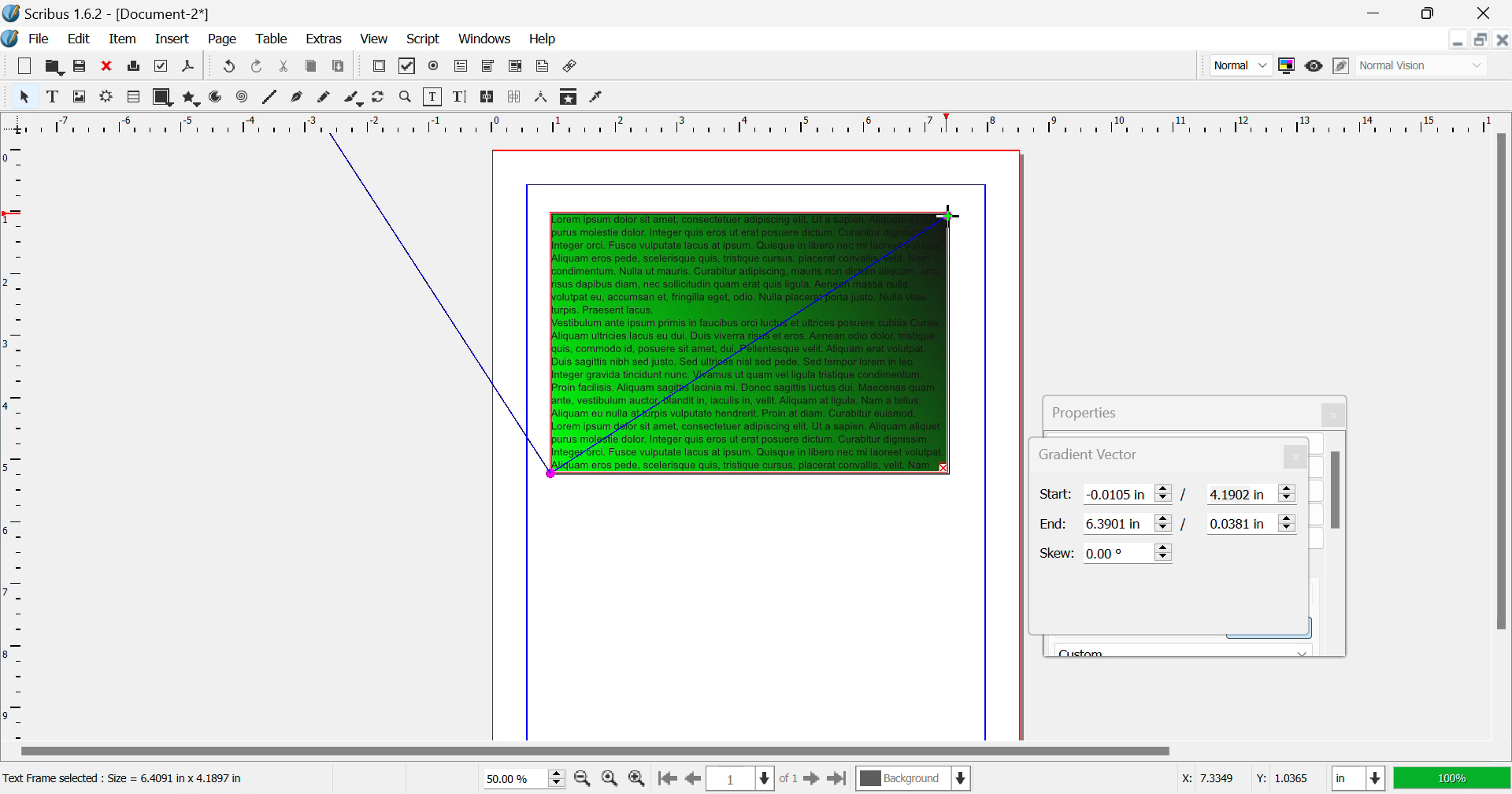 The image size is (1512, 794). What do you see at coordinates (780, 123) in the screenshot?
I see `Vertical Page Margin` at bounding box center [780, 123].